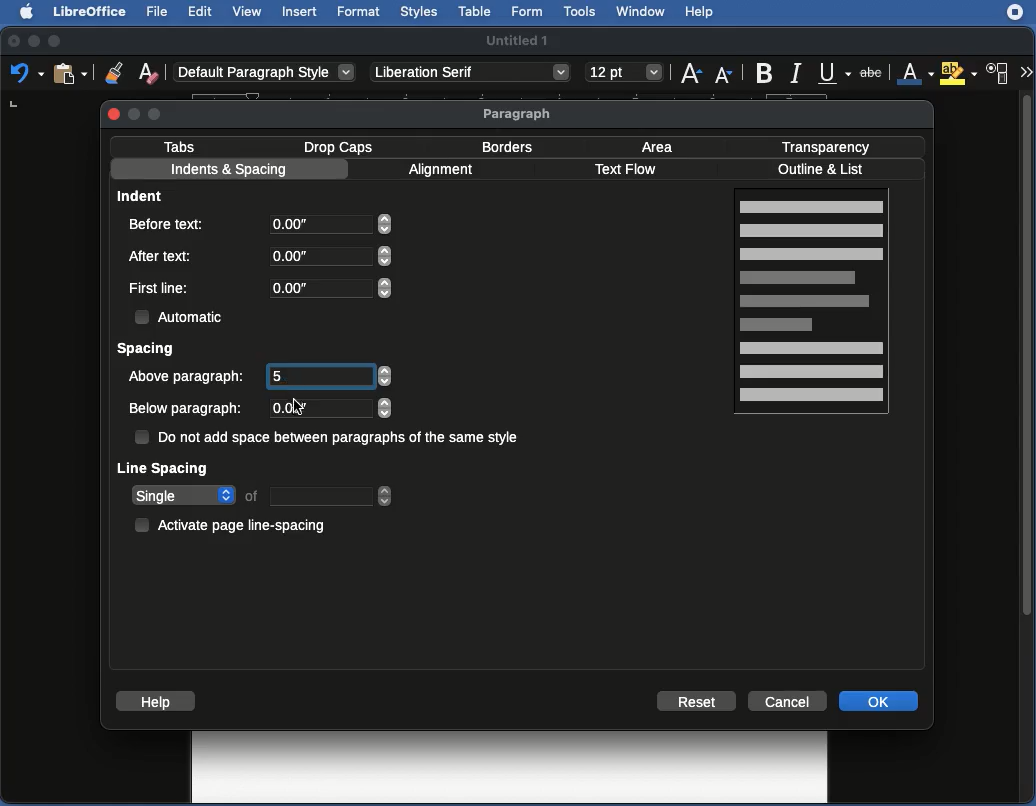 This screenshot has height=806, width=1036. Describe the element at coordinates (69, 73) in the screenshot. I see `clipboard` at that location.